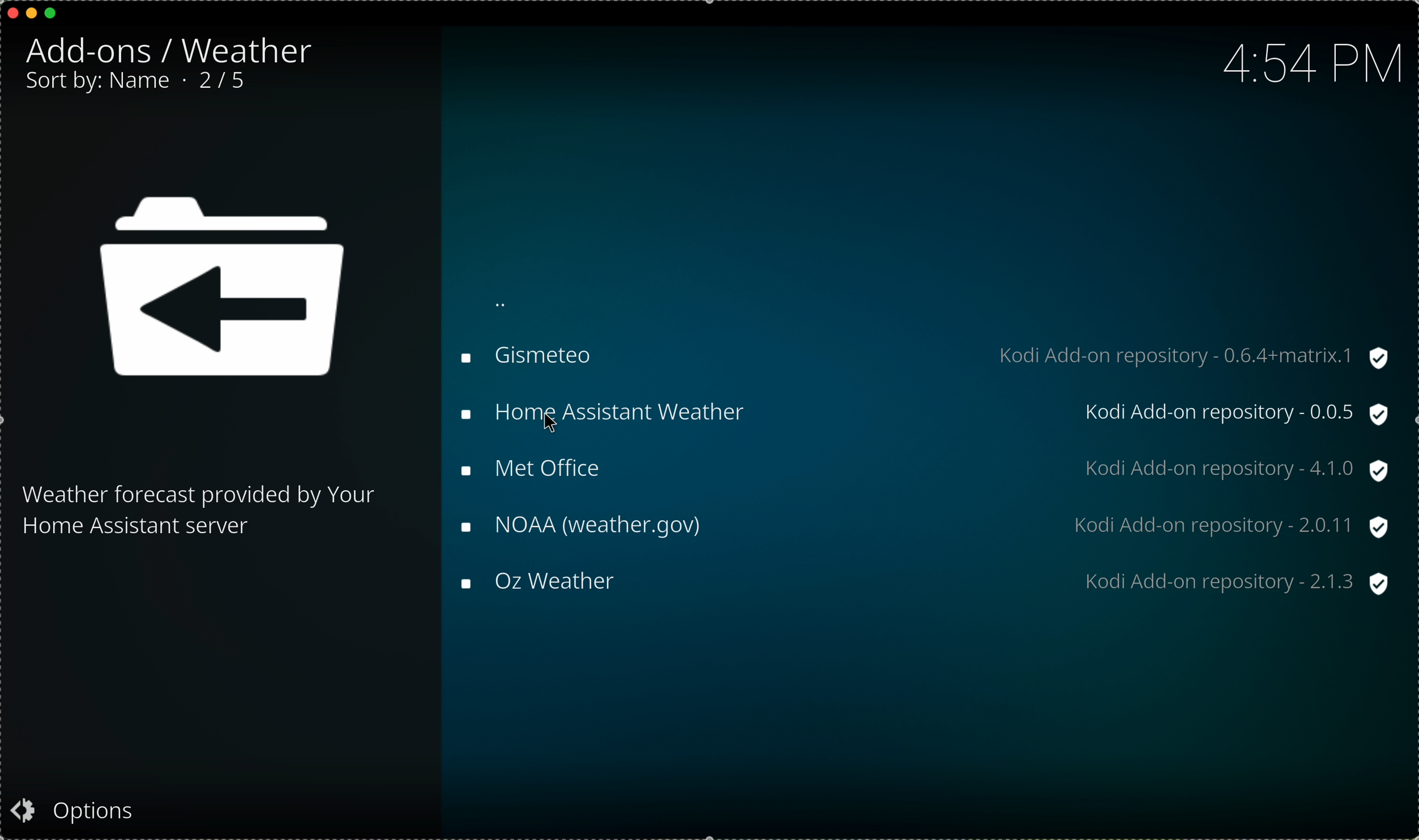  What do you see at coordinates (33, 13) in the screenshot?
I see `minimize` at bounding box center [33, 13].